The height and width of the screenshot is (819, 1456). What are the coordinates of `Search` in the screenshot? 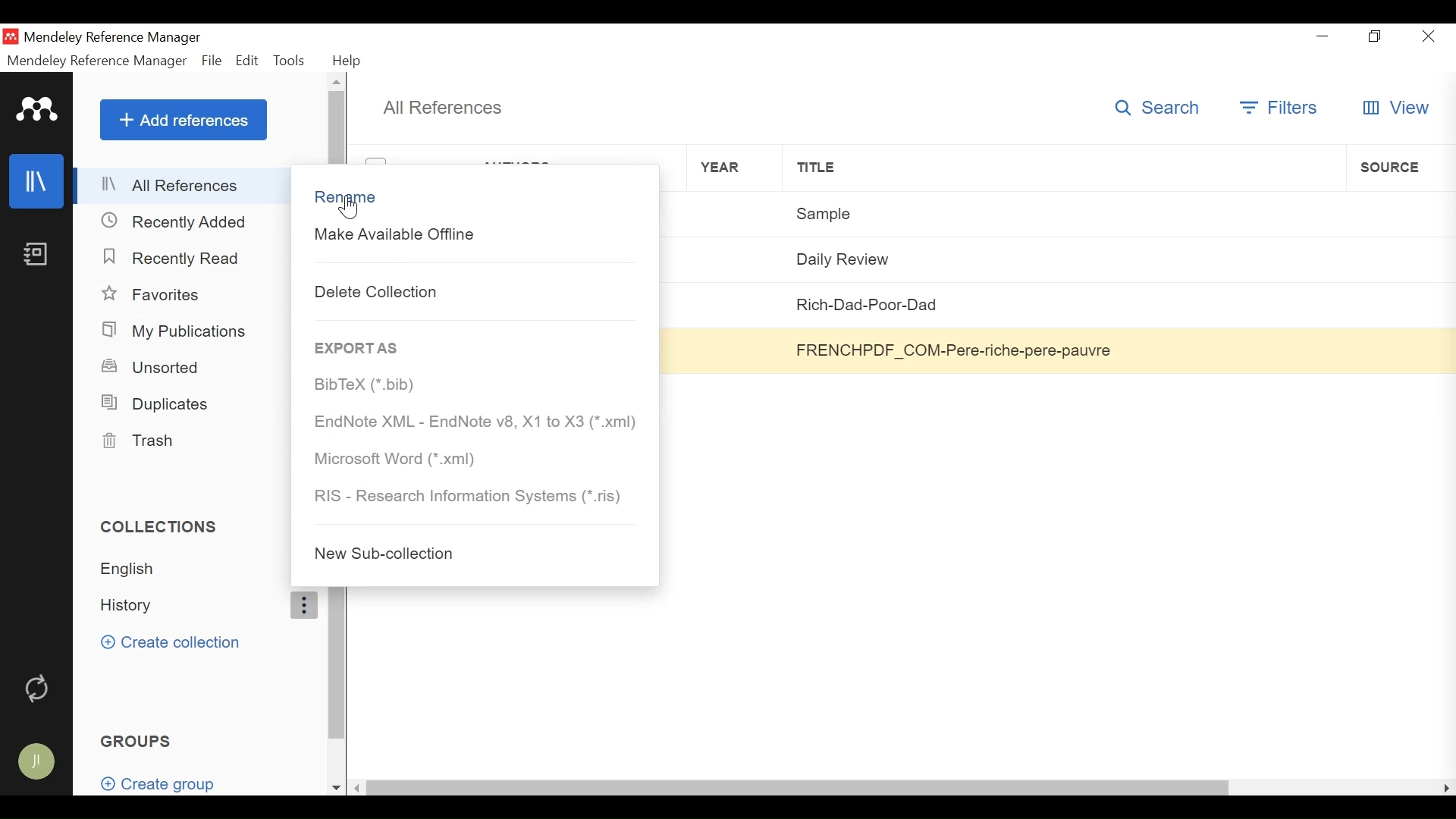 It's located at (1163, 107).